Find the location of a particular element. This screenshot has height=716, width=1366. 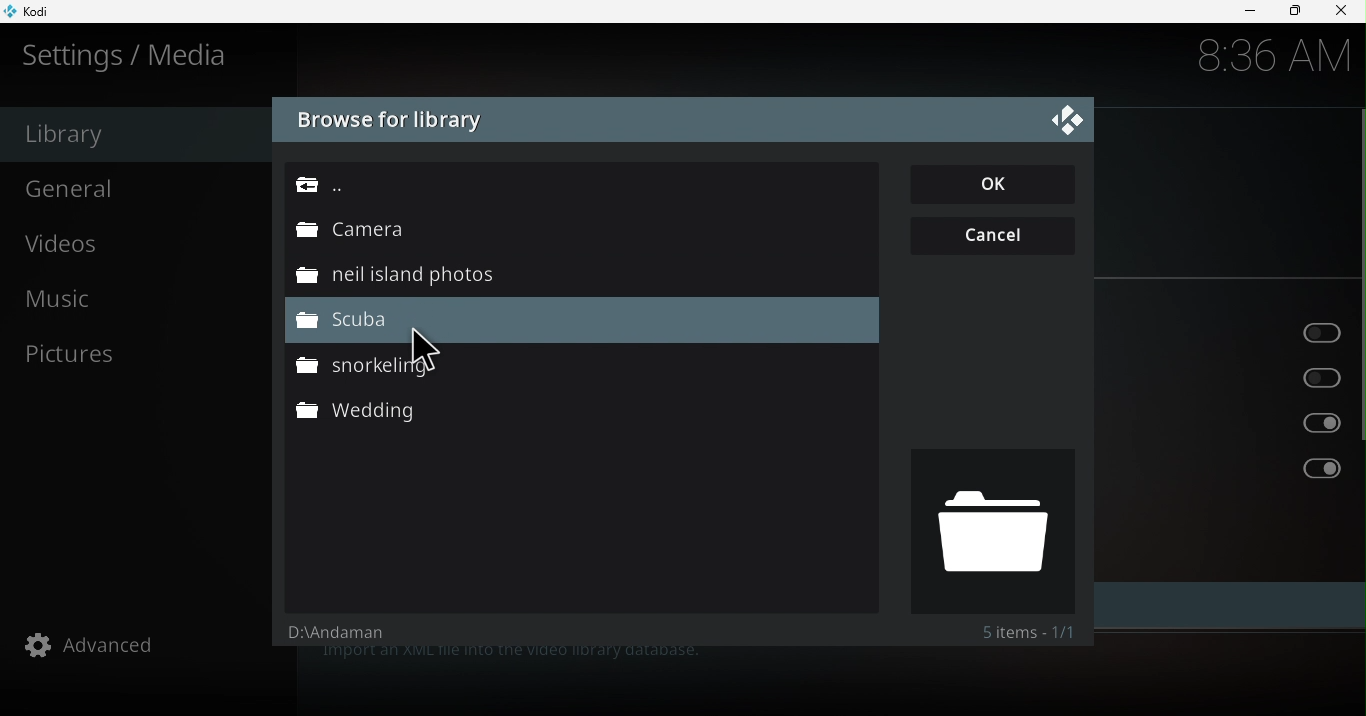

Browse for library is located at coordinates (389, 121).